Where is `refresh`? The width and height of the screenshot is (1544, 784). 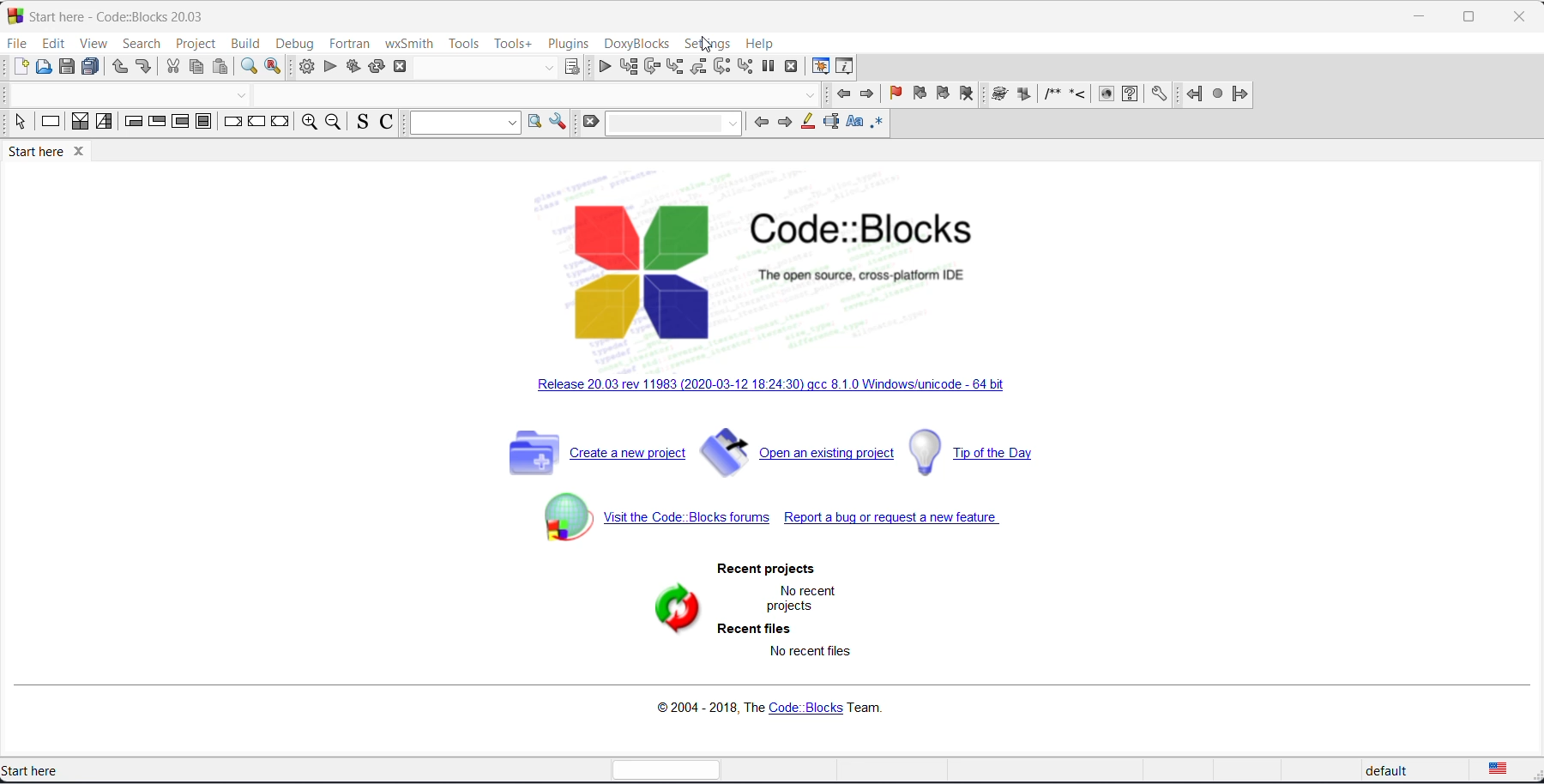 refresh is located at coordinates (674, 613).